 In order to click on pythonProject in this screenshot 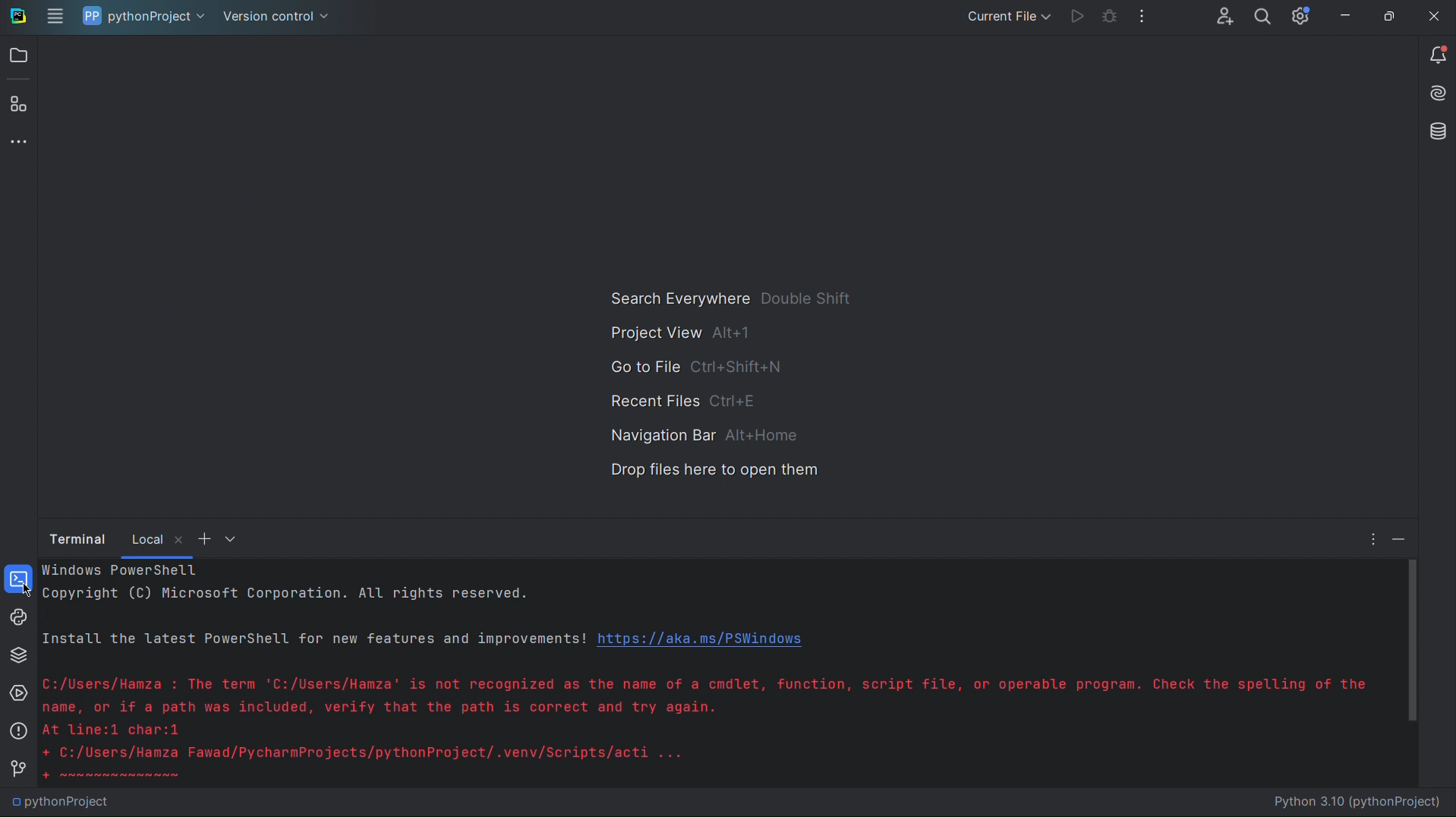, I will do `click(142, 16)`.